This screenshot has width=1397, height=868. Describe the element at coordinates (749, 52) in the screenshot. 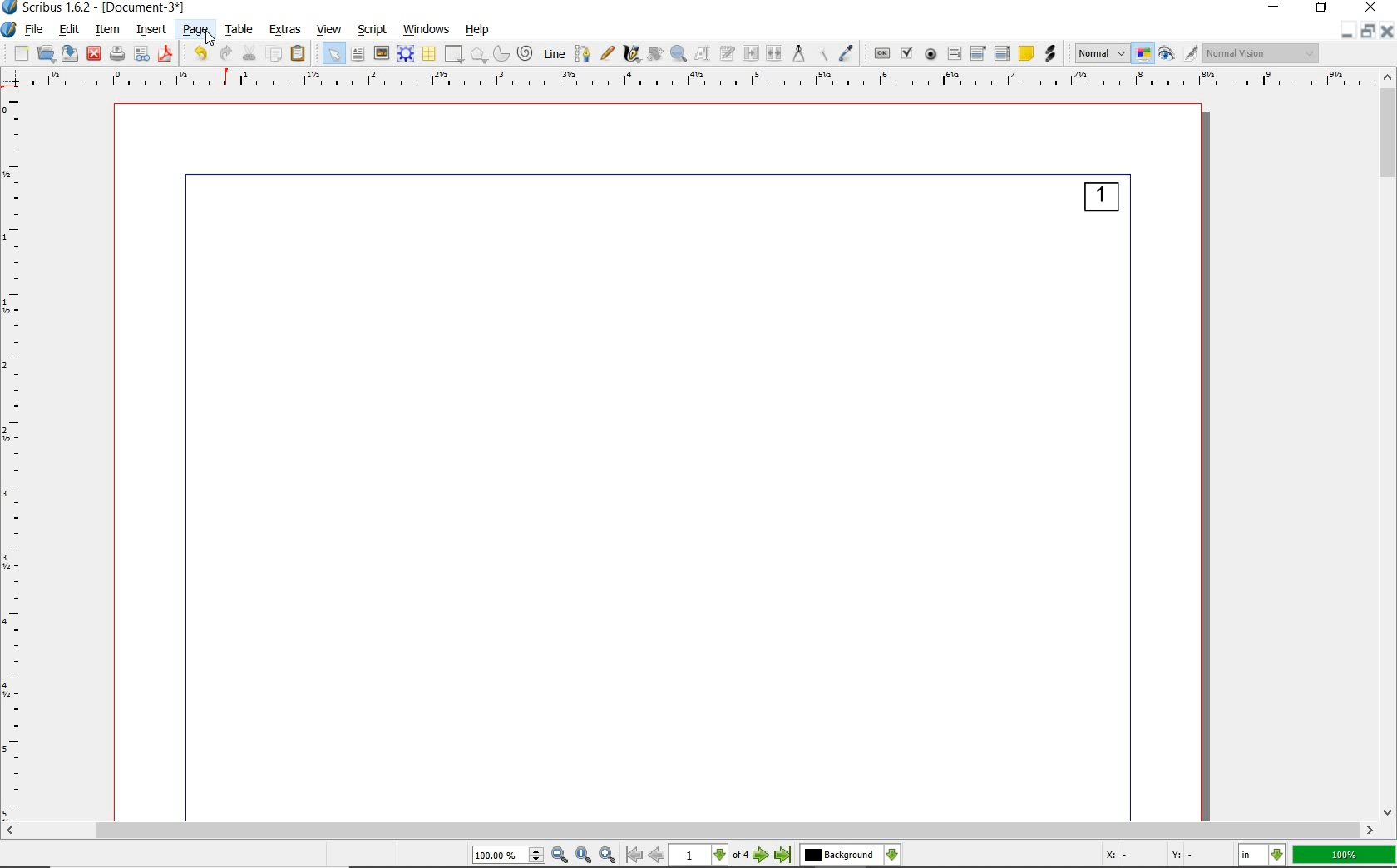

I see `link text frames` at that location.